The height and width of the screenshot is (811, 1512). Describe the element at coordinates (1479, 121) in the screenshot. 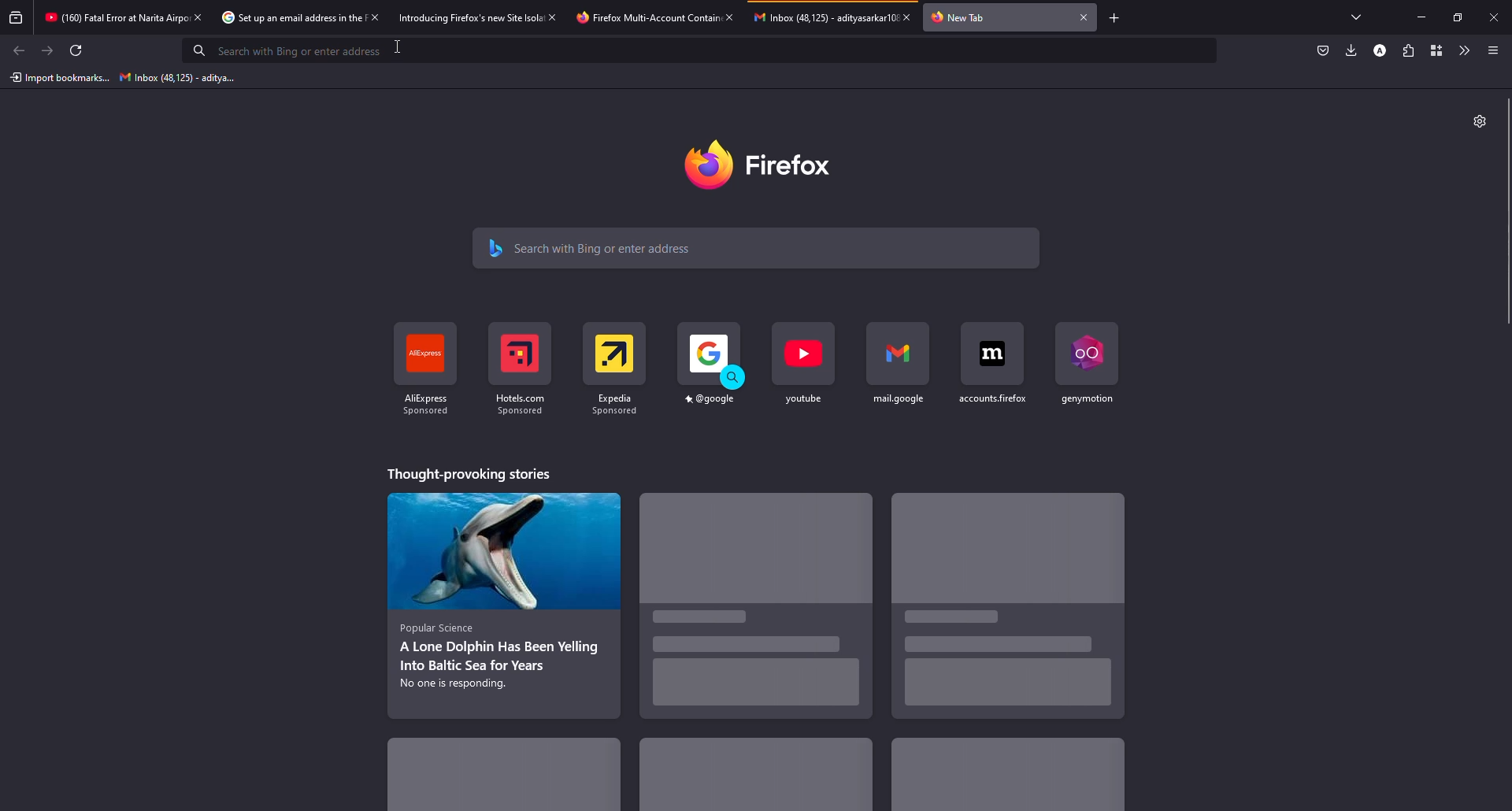

I see `settings` at that location.